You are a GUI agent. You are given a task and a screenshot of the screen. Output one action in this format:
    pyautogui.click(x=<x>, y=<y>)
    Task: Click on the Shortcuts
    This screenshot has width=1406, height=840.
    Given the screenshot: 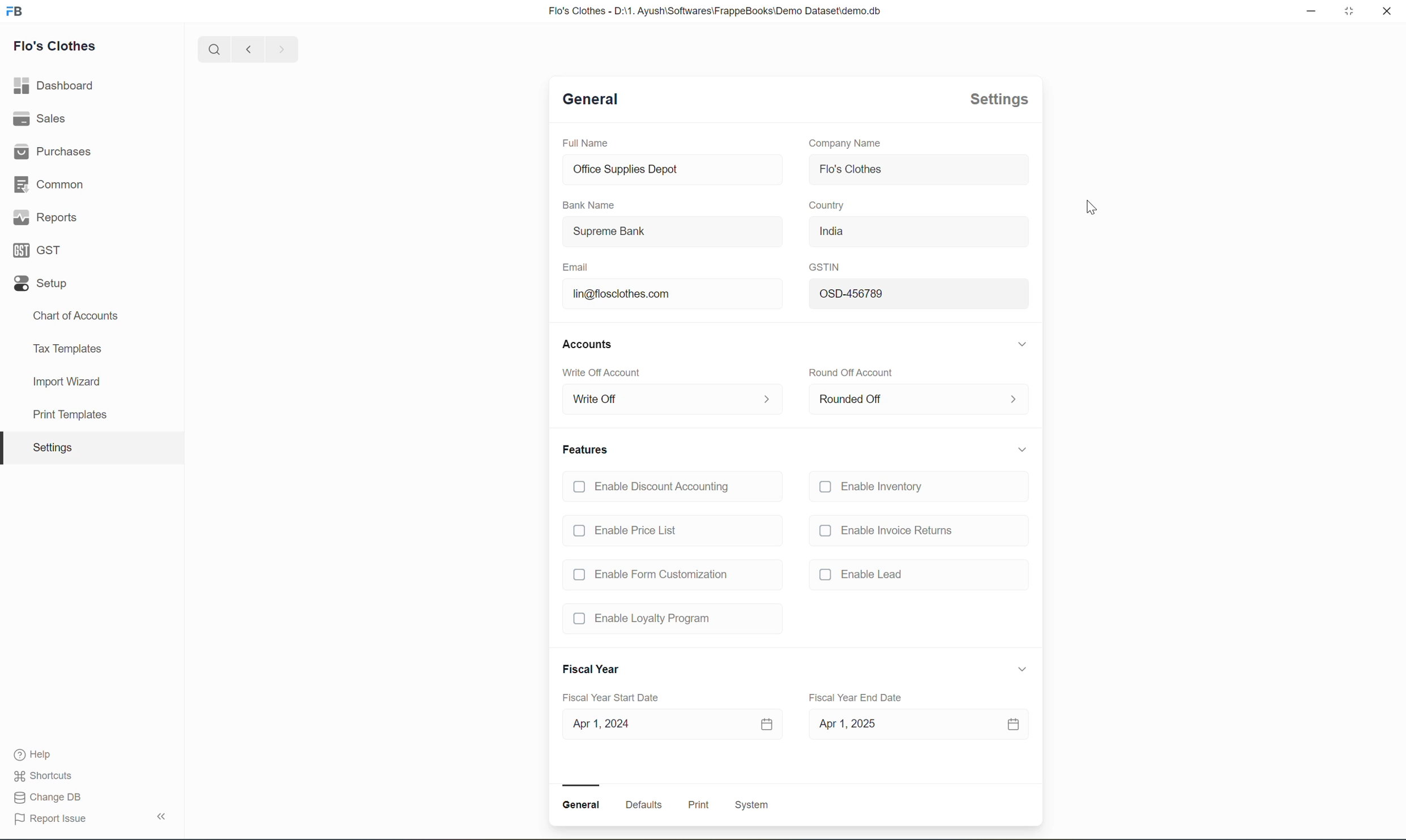 What is the action you would take?
    pyautogui.click(x=45, y=775)
    